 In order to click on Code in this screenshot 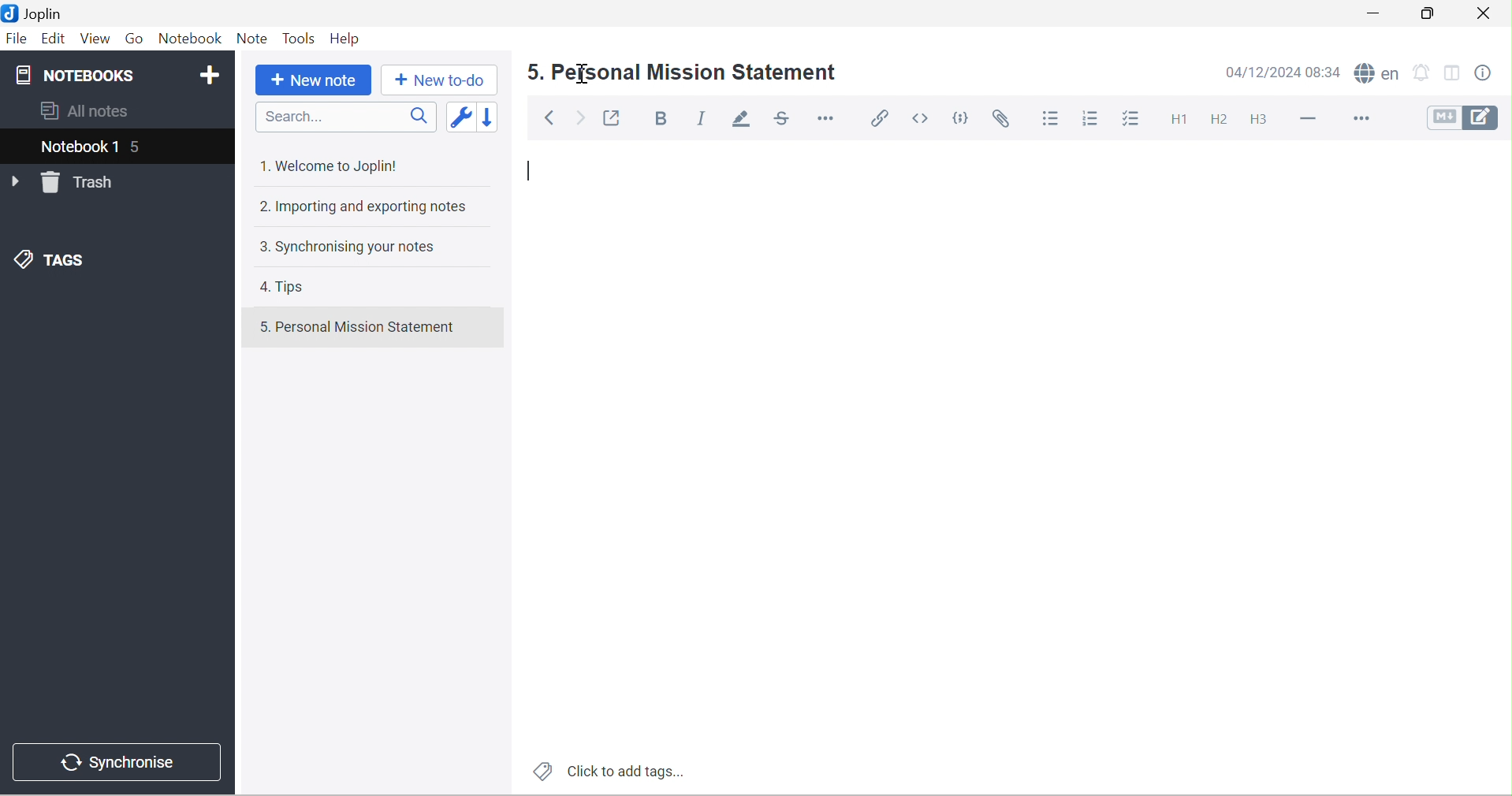, I will do `click(961, 117)`.